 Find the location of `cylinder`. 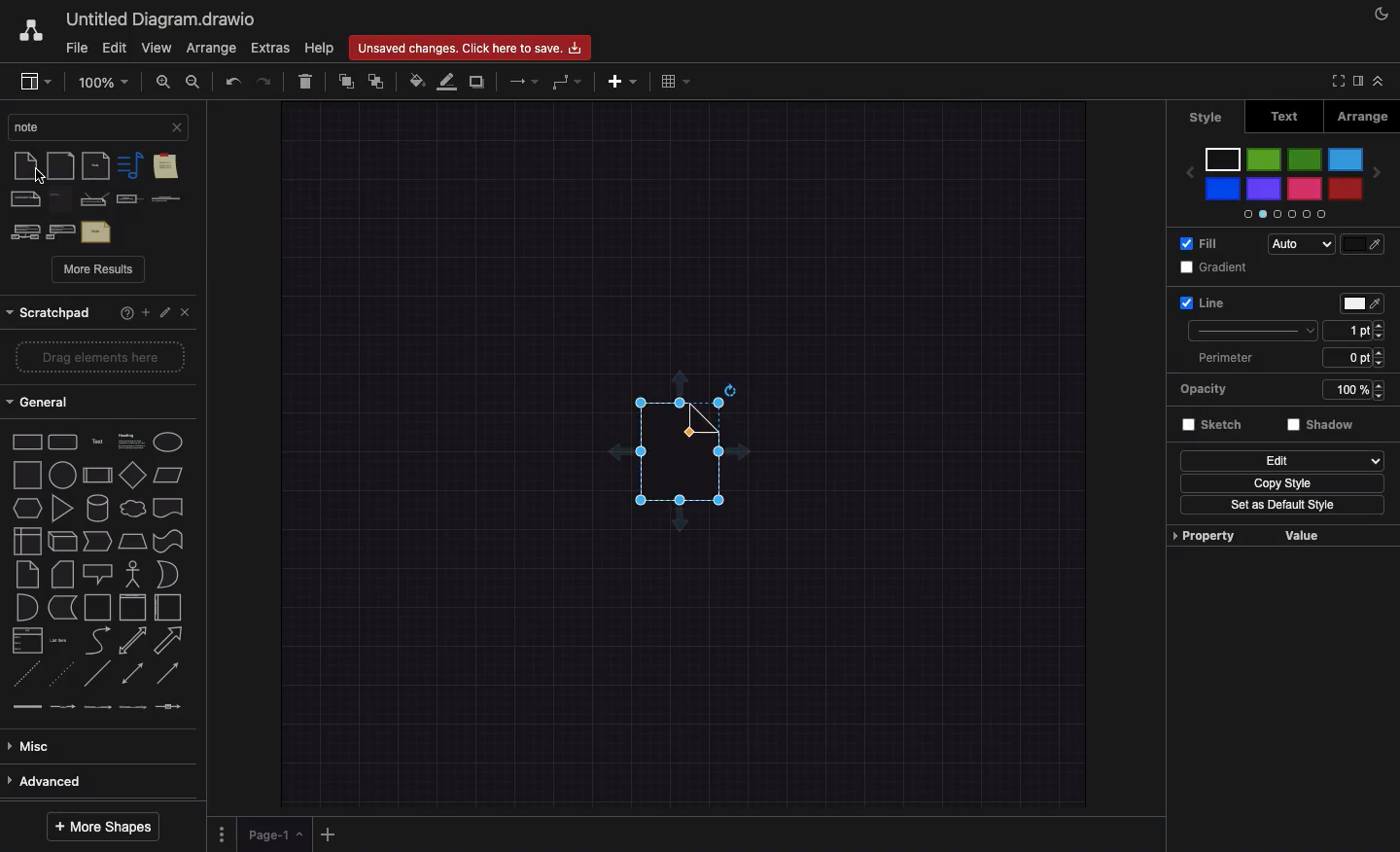

cylinder is located at coordinates (99, 508).